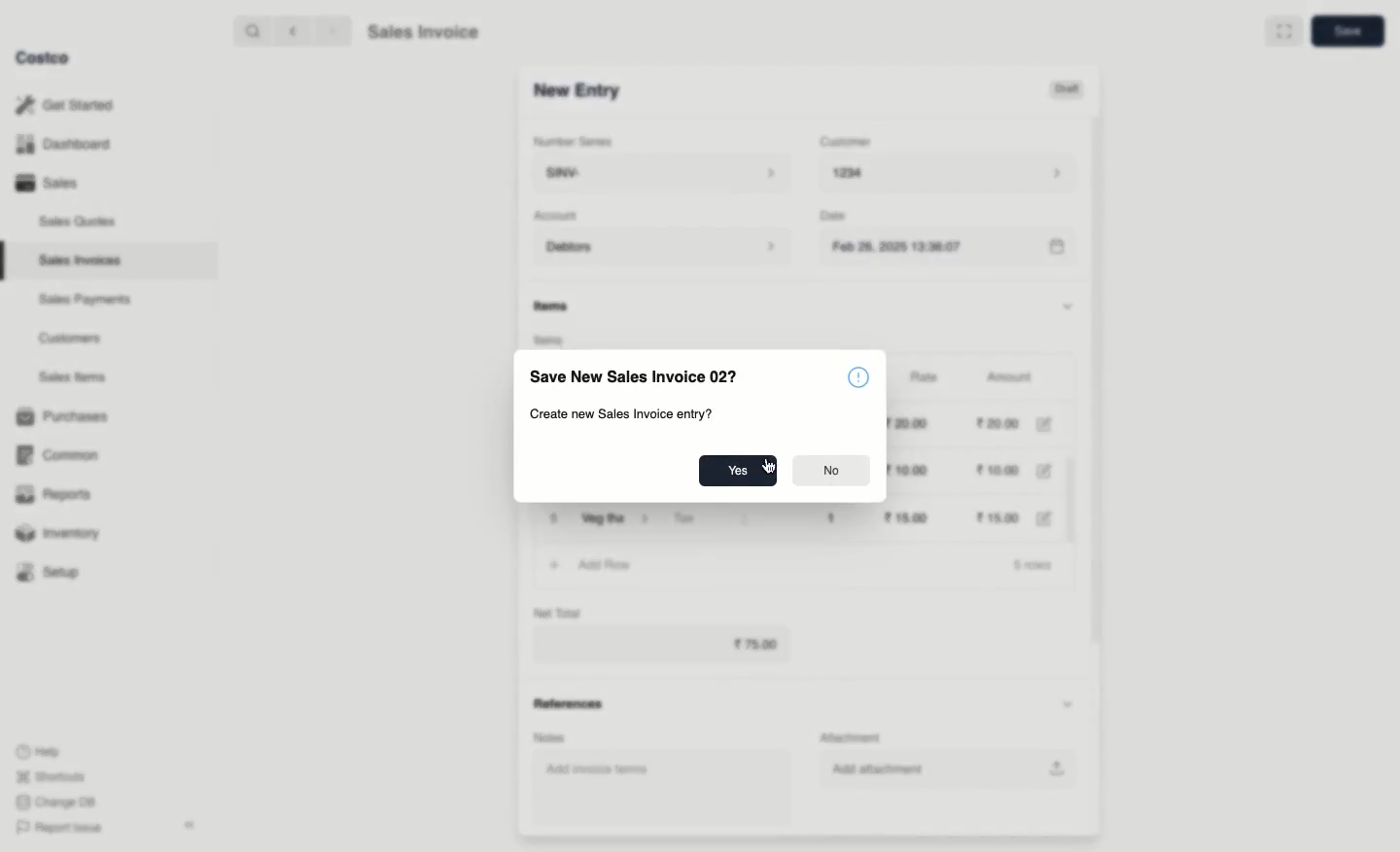 The width and height of the screenshot is (1400, 852). What do you see at coordinates (87, 302) in the screenshot?
I see `Sales Payments.` at bounding box center [87, 302].